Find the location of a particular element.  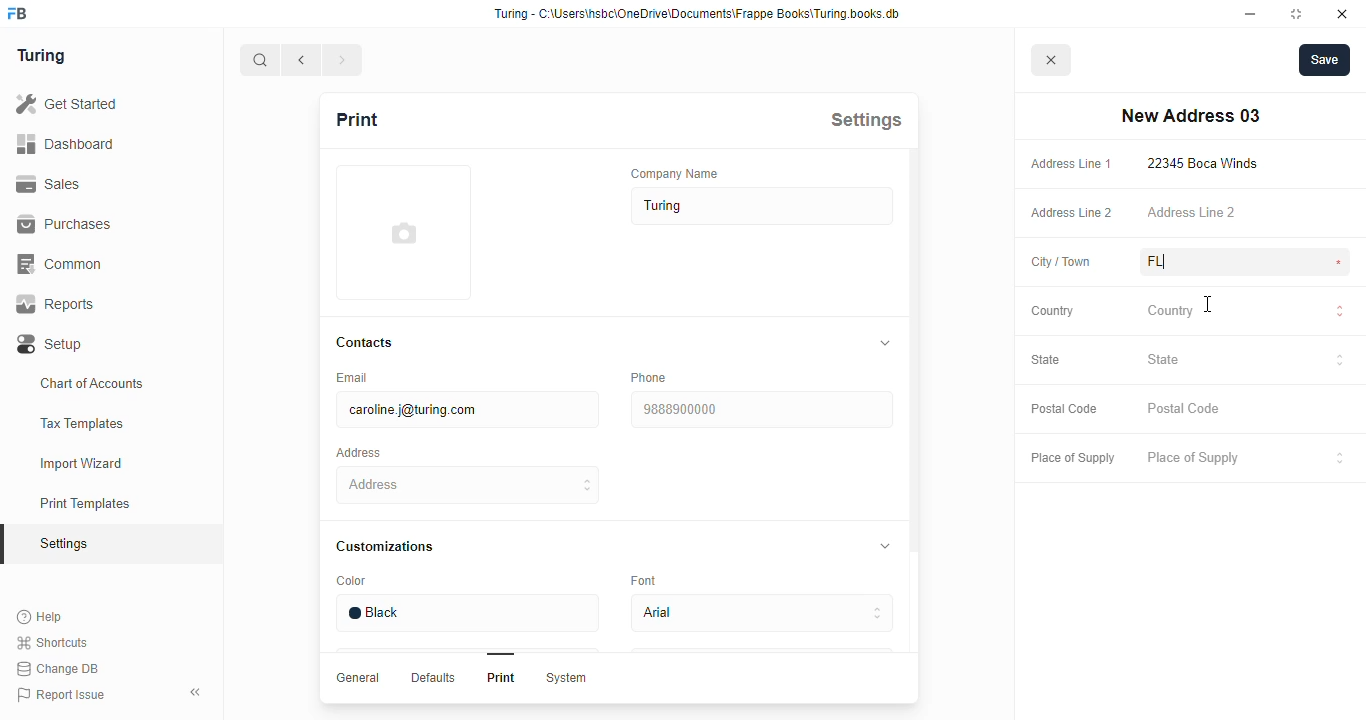

company name is located at coordinates (675, 173).